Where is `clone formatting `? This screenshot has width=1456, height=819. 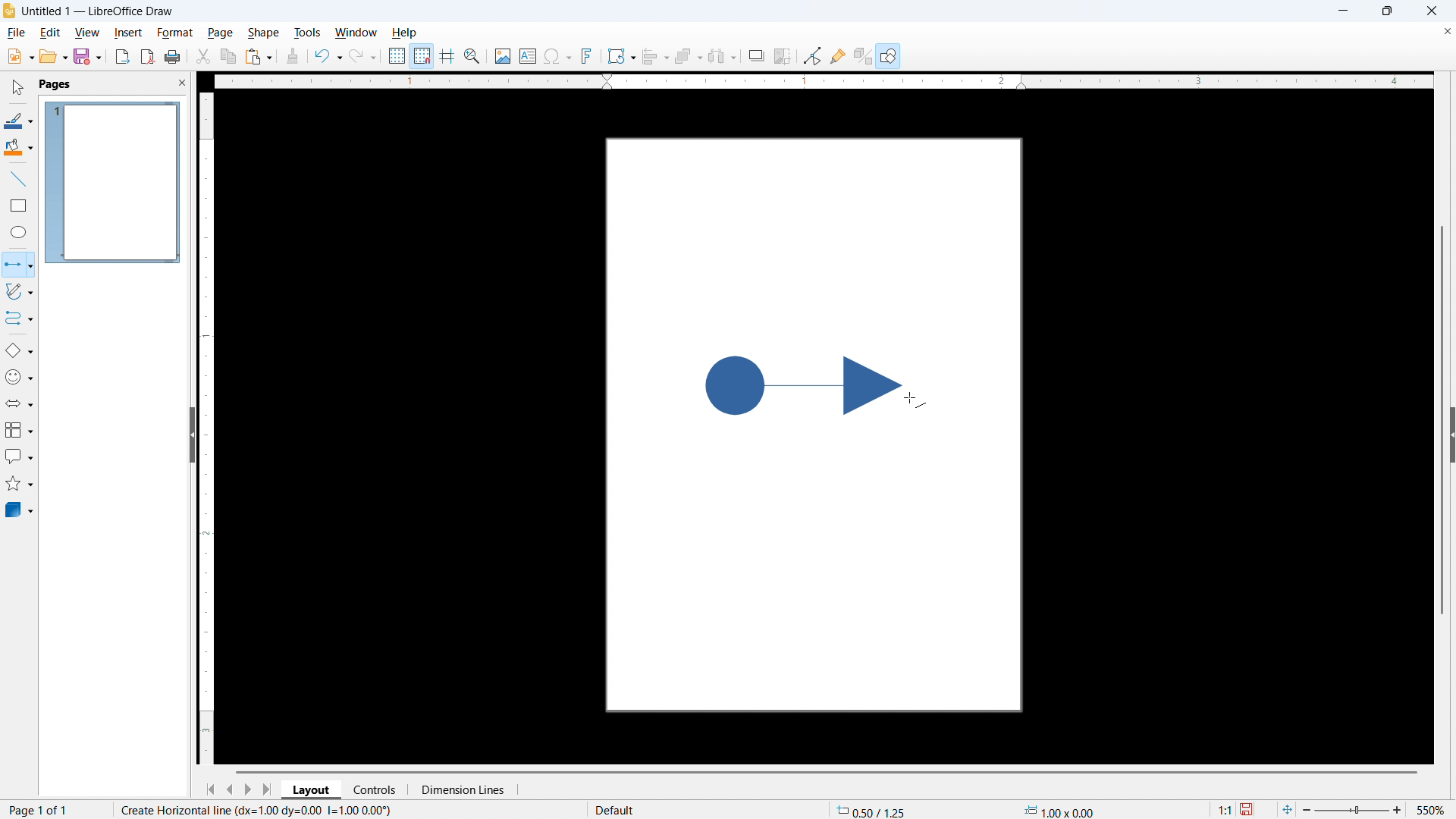
clone formatting  is located at coordinates (293, 57).